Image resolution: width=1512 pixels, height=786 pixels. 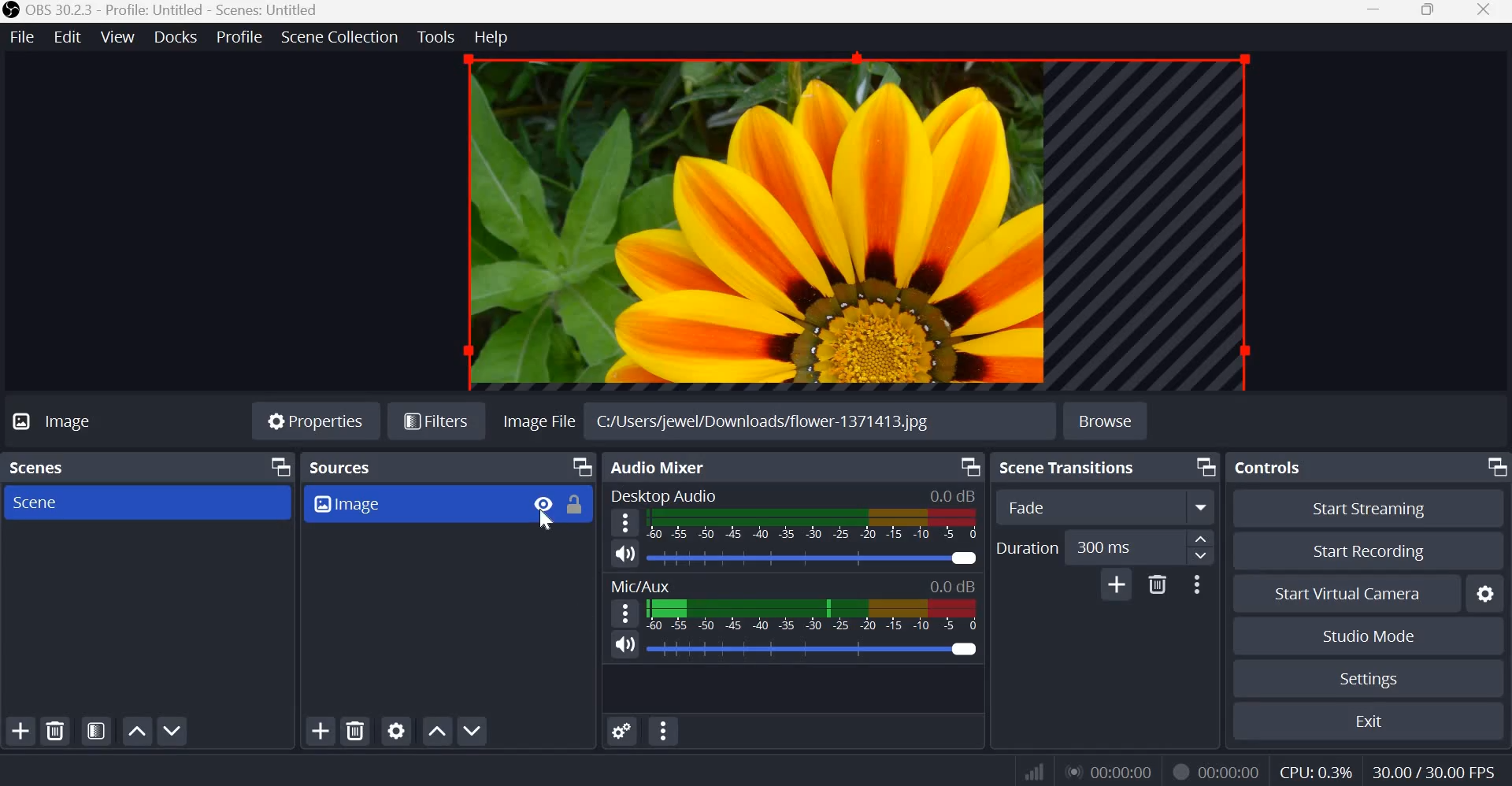 What do you see at coordinates (1495, 469) in the screenshot?
I see `Dock Options icon` at bounding box center [1495, 469].